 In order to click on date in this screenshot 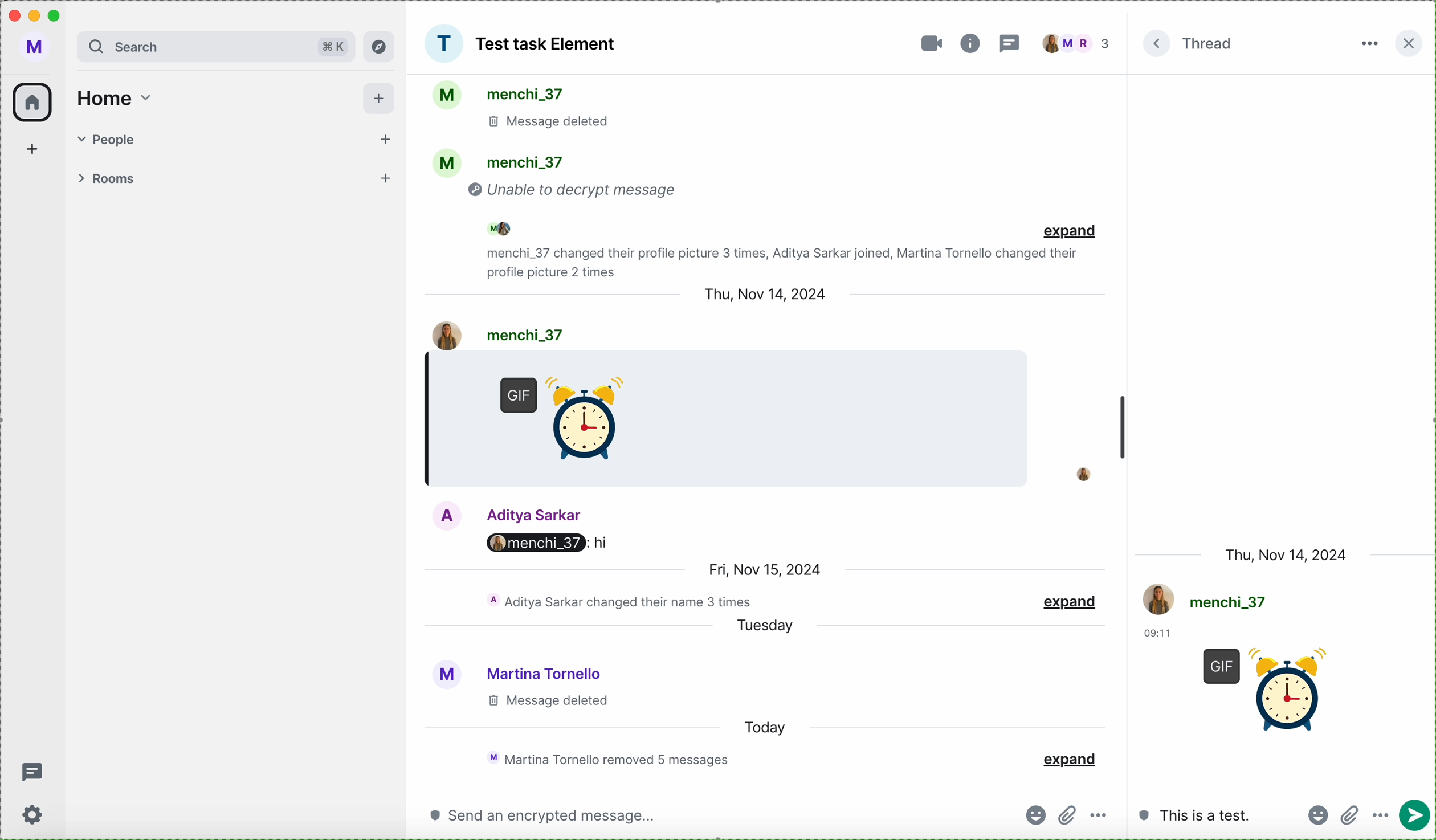, I will do `click(758, 293)`.